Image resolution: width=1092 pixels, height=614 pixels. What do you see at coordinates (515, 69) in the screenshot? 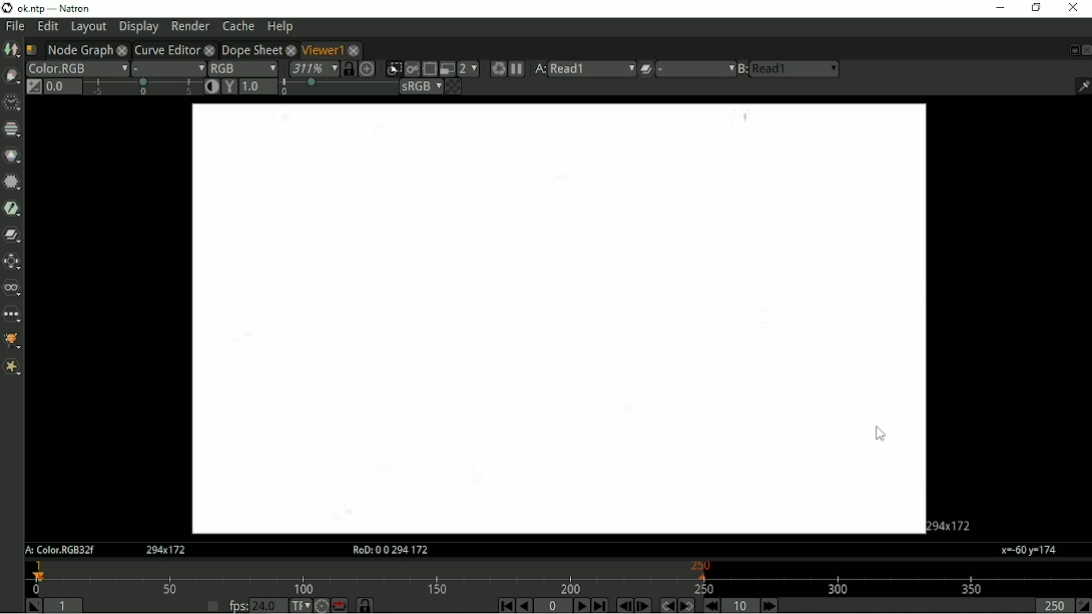
I see `Pause updates` at bounding box center [515, 69].